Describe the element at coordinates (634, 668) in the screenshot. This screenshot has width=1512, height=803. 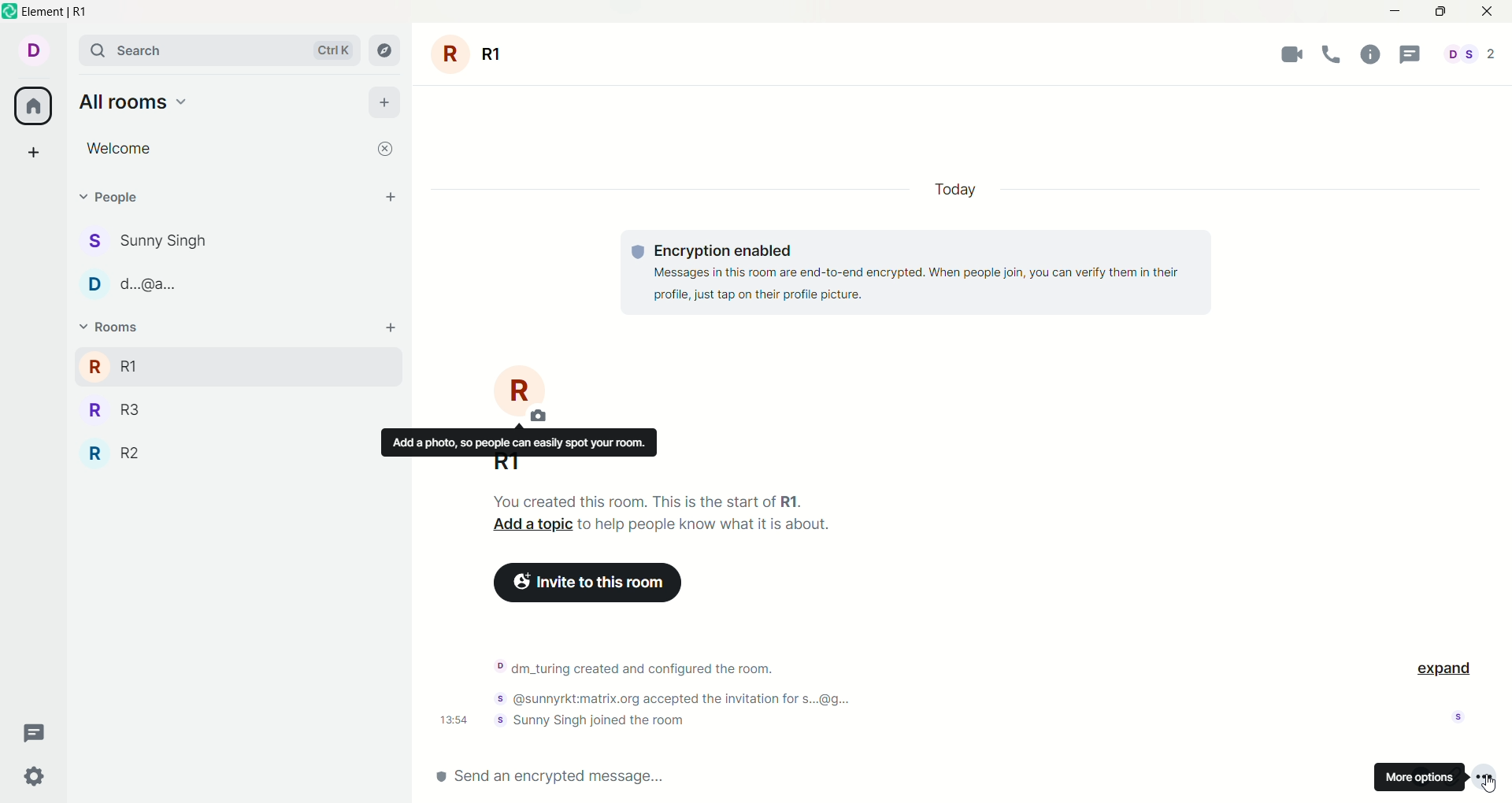
I see `Notification` at that location.